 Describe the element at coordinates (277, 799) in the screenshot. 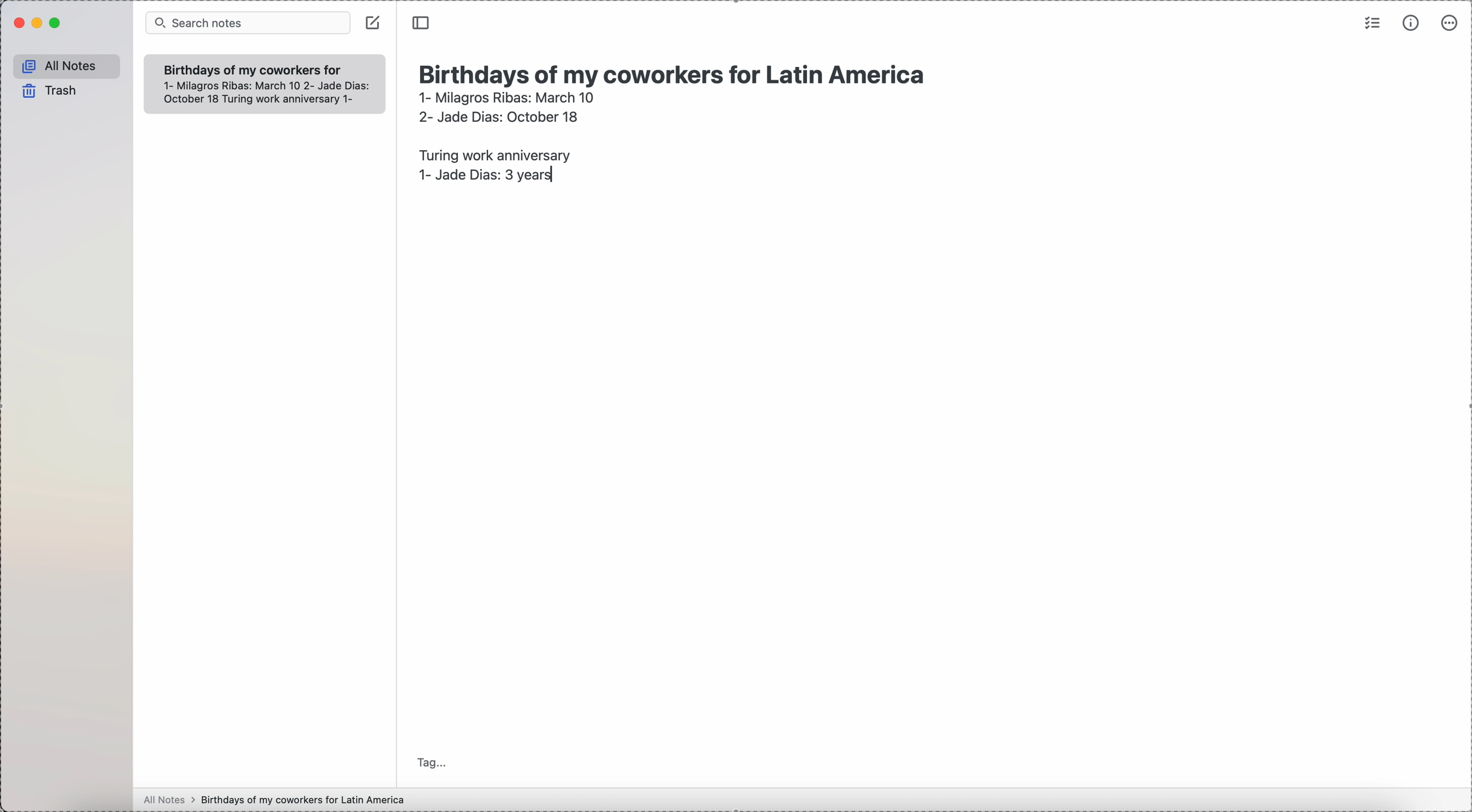

I see `all notes > birthdays of my coworkers for Latin America` at that location.